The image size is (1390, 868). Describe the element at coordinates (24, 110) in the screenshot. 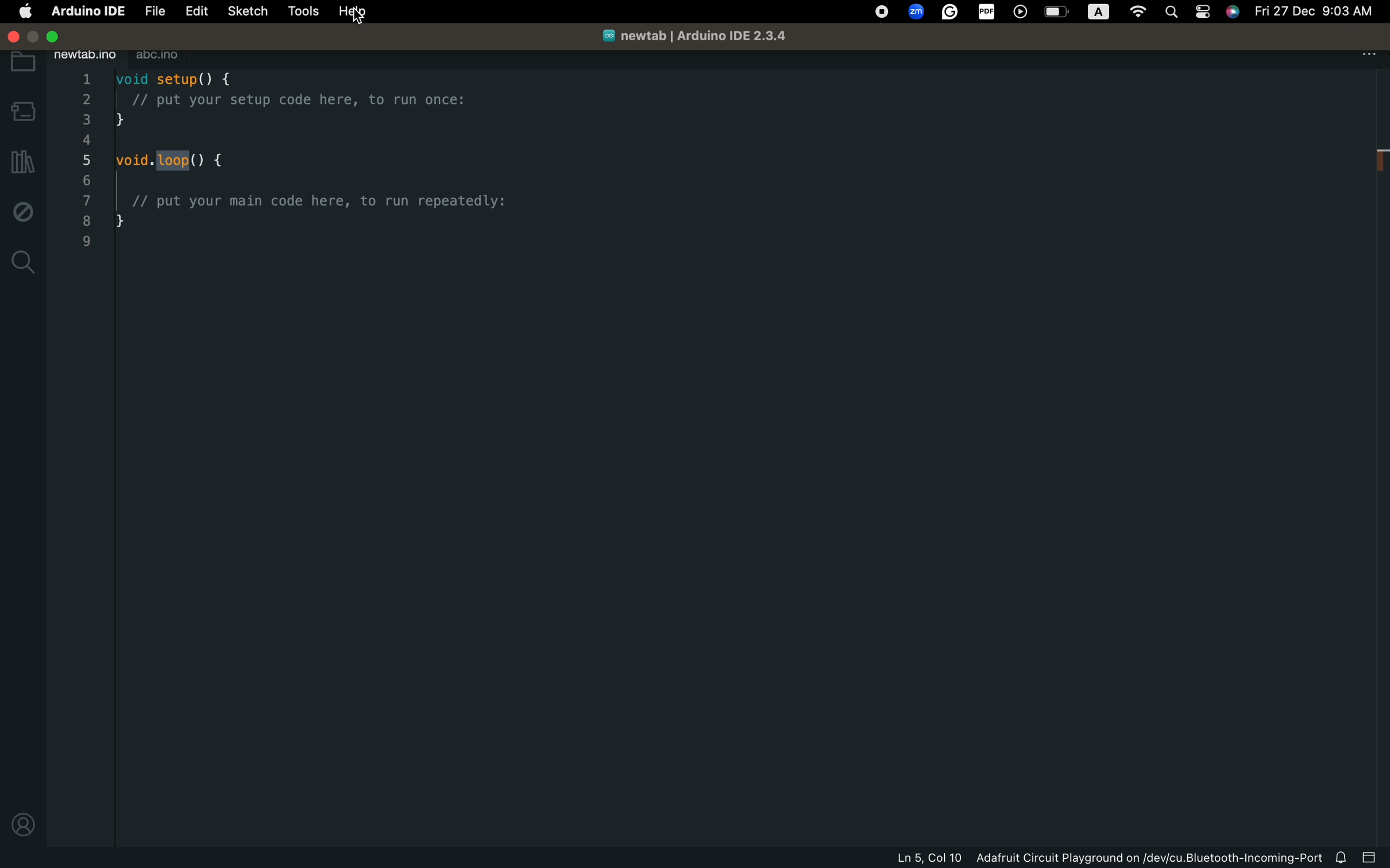

I see `board manager` at that location.